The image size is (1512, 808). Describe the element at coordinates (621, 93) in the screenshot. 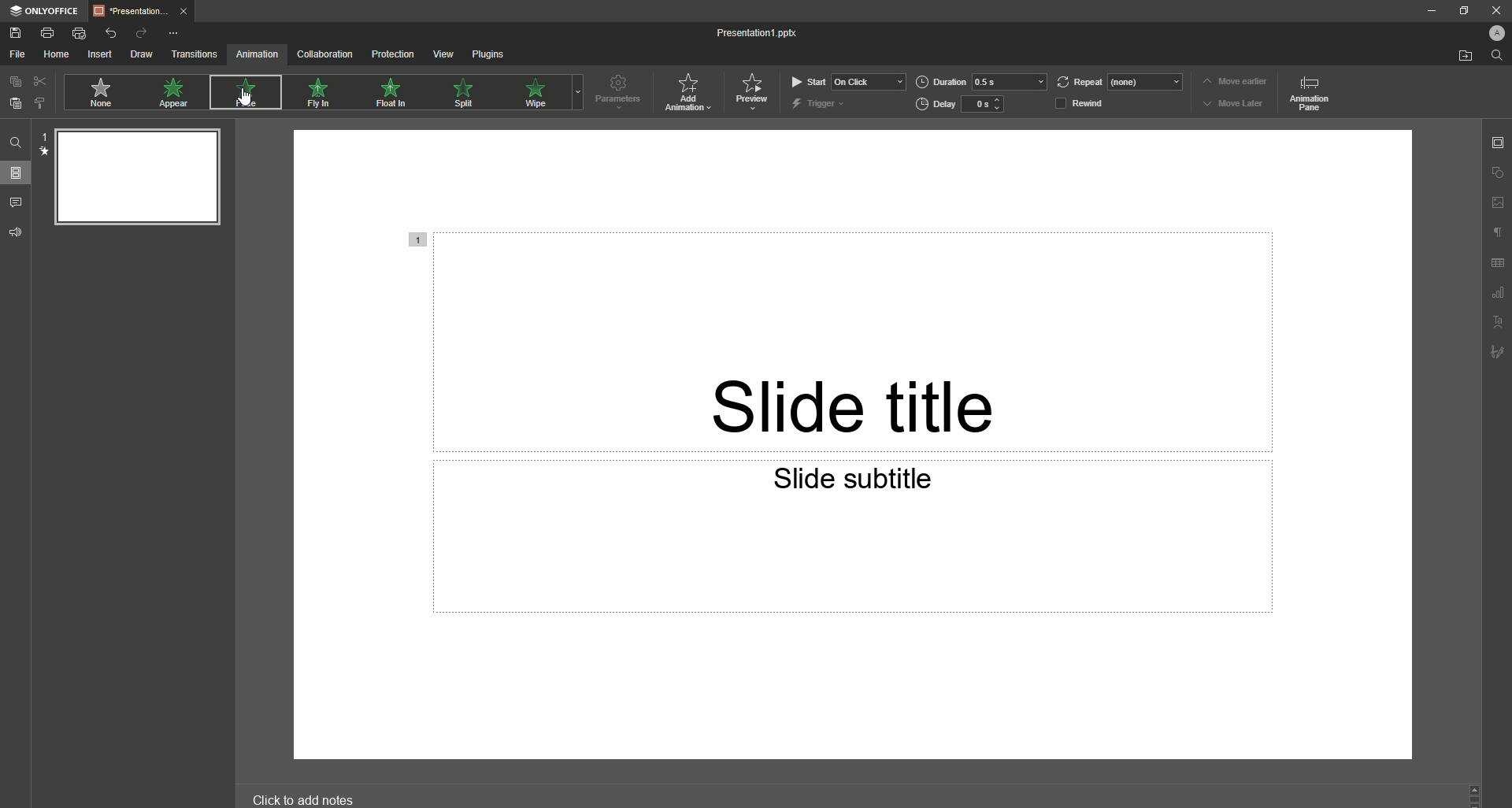

I see `Parameters` at that location.